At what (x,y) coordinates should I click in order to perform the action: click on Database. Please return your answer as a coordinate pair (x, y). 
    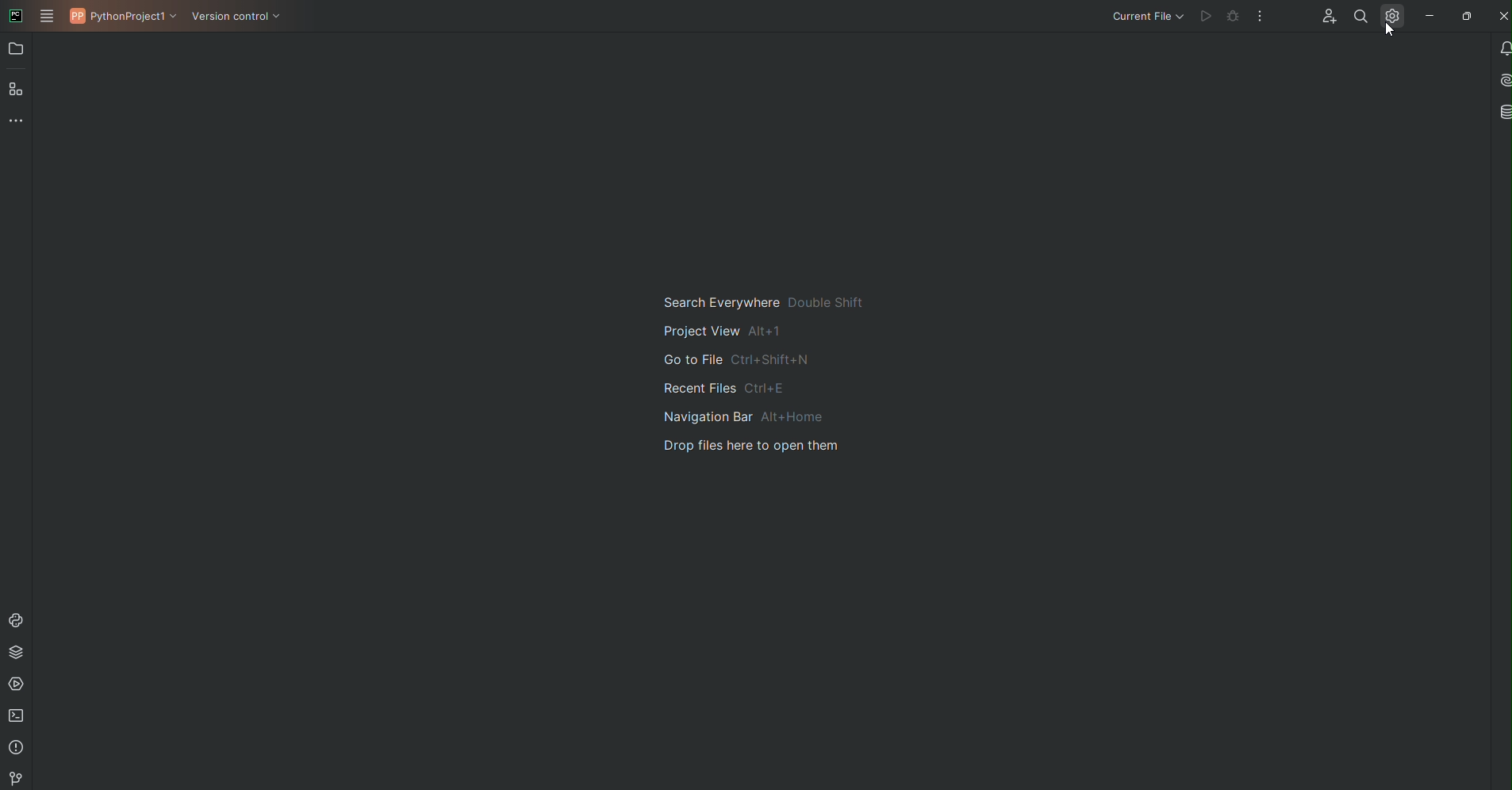
    Looking at the image, I should click on (1502, 110).